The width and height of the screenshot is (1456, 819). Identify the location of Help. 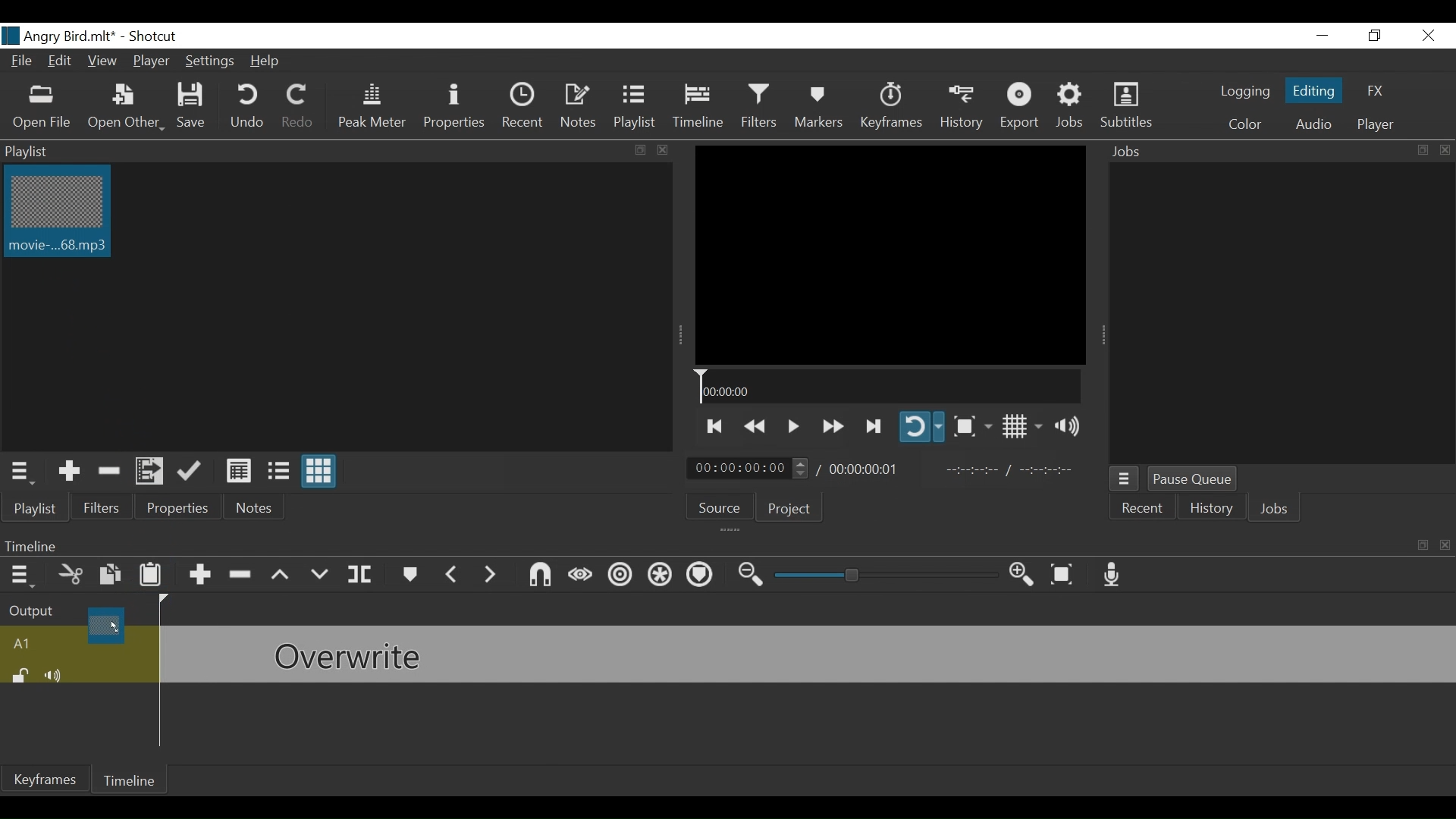
(266, 61).